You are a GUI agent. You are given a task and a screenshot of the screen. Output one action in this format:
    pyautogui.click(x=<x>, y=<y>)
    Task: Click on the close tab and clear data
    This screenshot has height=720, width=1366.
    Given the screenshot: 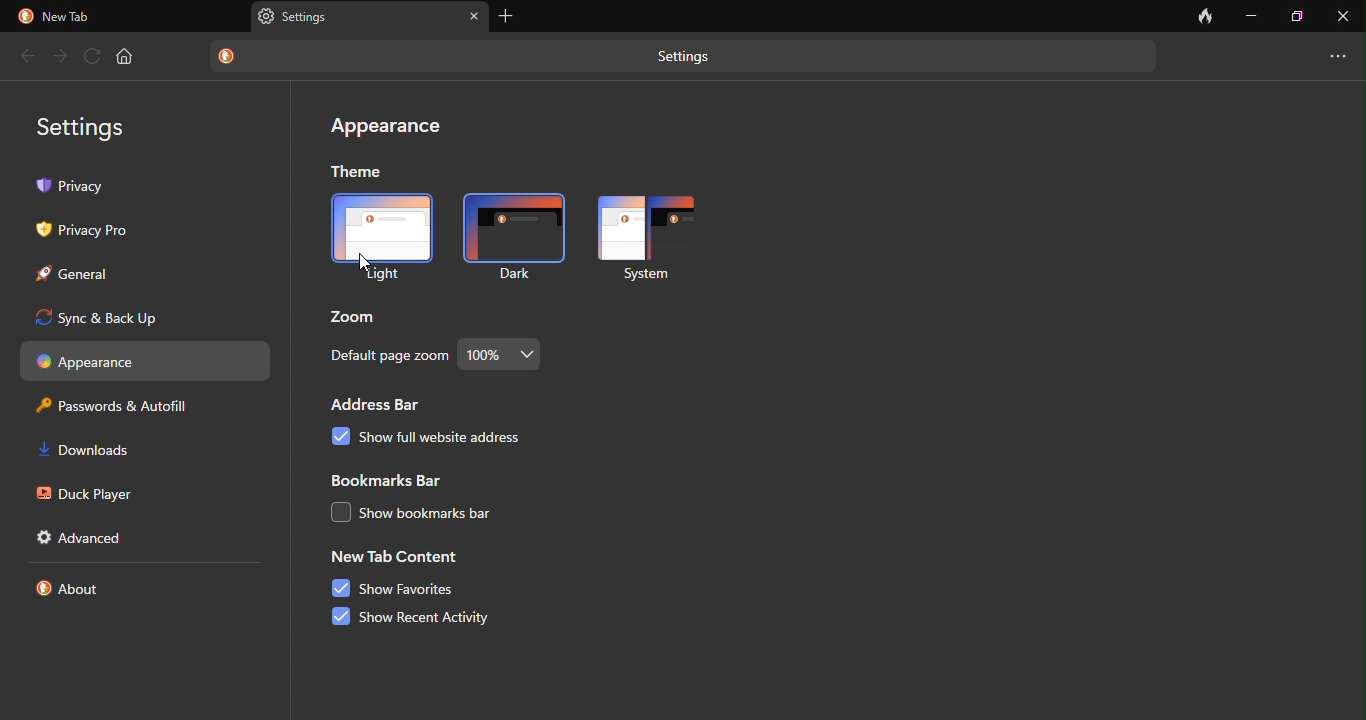 What is the action you would take?
    pyautogui.click(x=1205, y=16)
    